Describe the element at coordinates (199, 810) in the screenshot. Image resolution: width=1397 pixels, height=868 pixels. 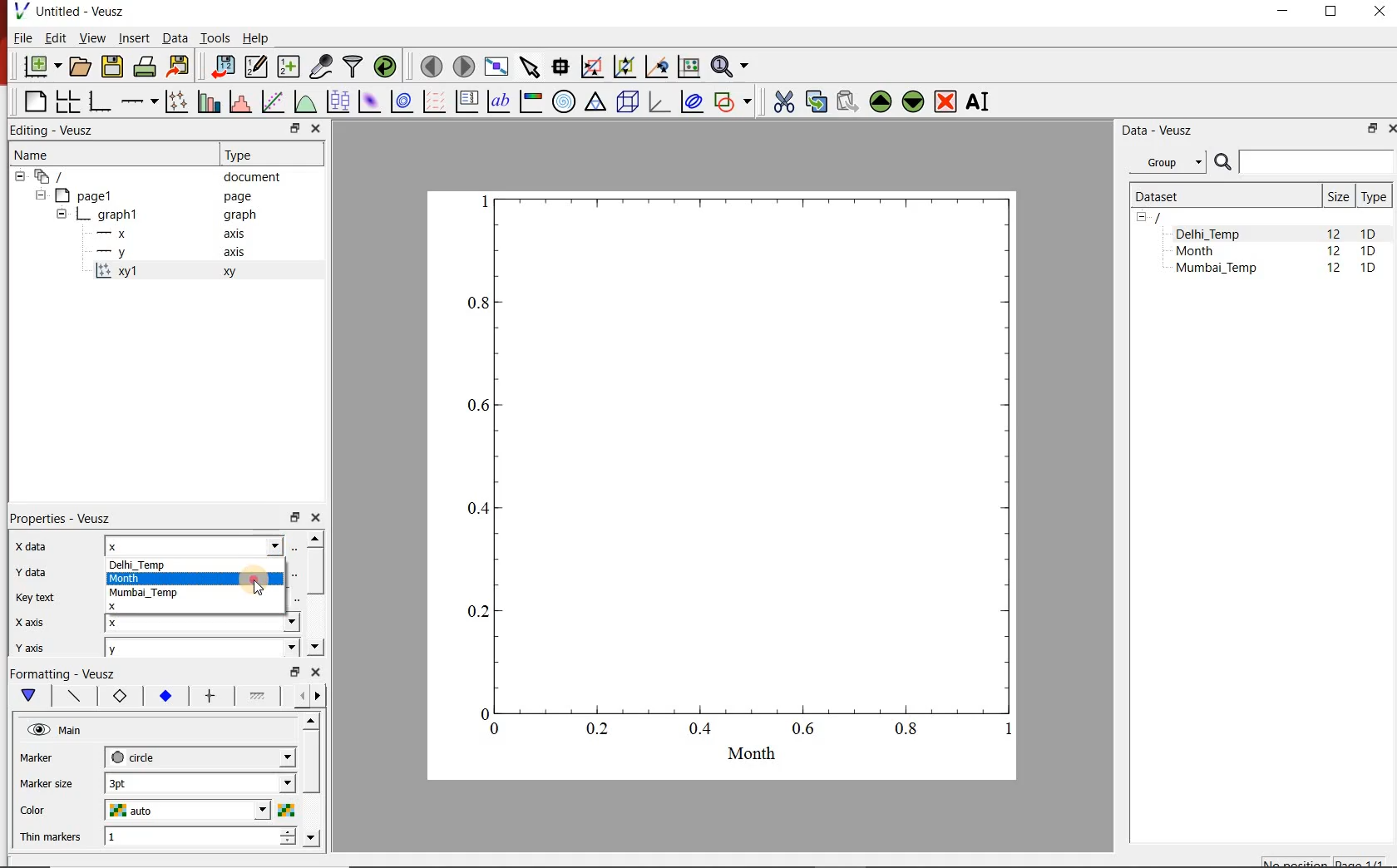
I see `auto` at that location.